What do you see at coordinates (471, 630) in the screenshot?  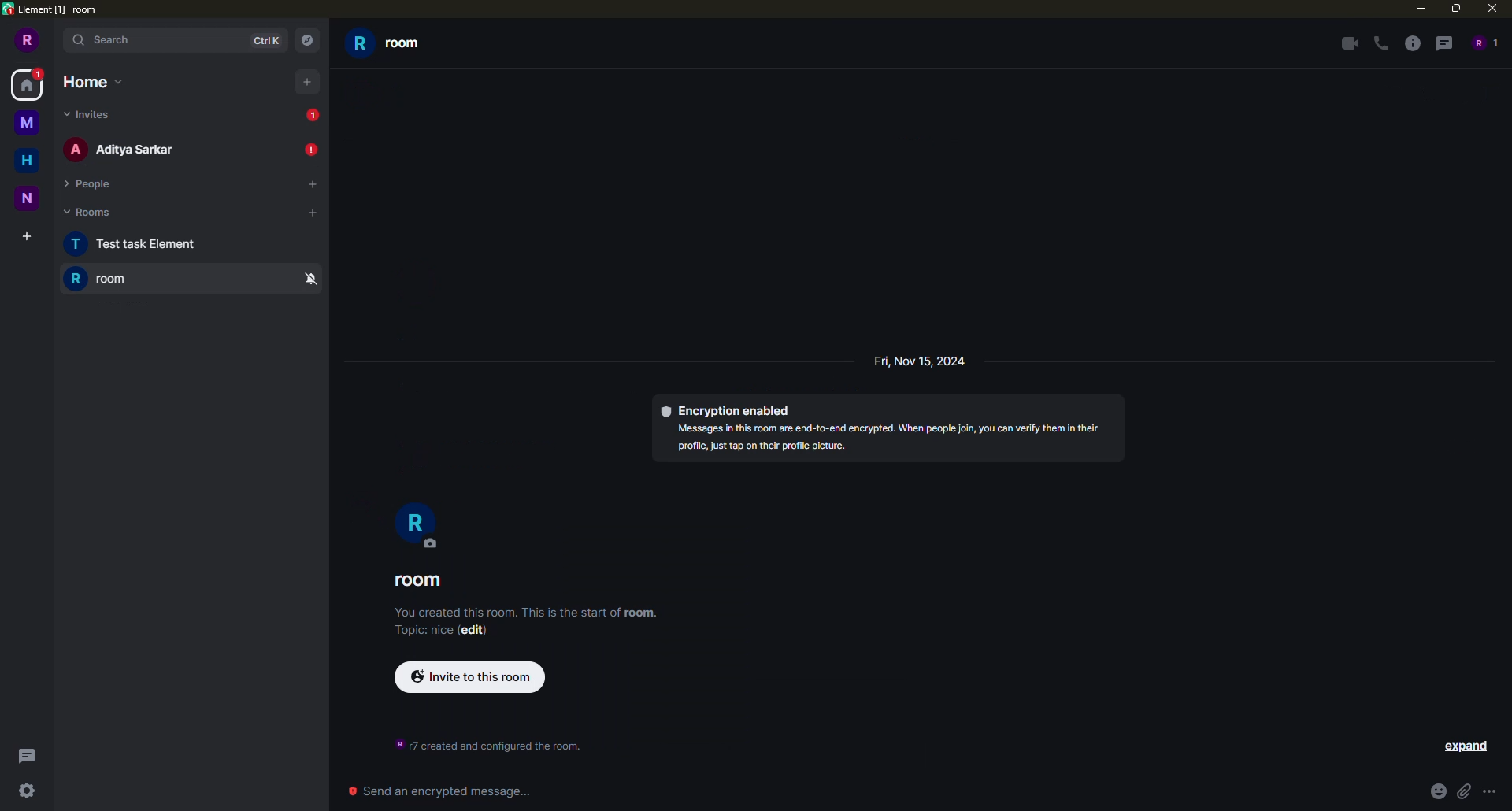 I see `edit` at bounding box center [471, 630].